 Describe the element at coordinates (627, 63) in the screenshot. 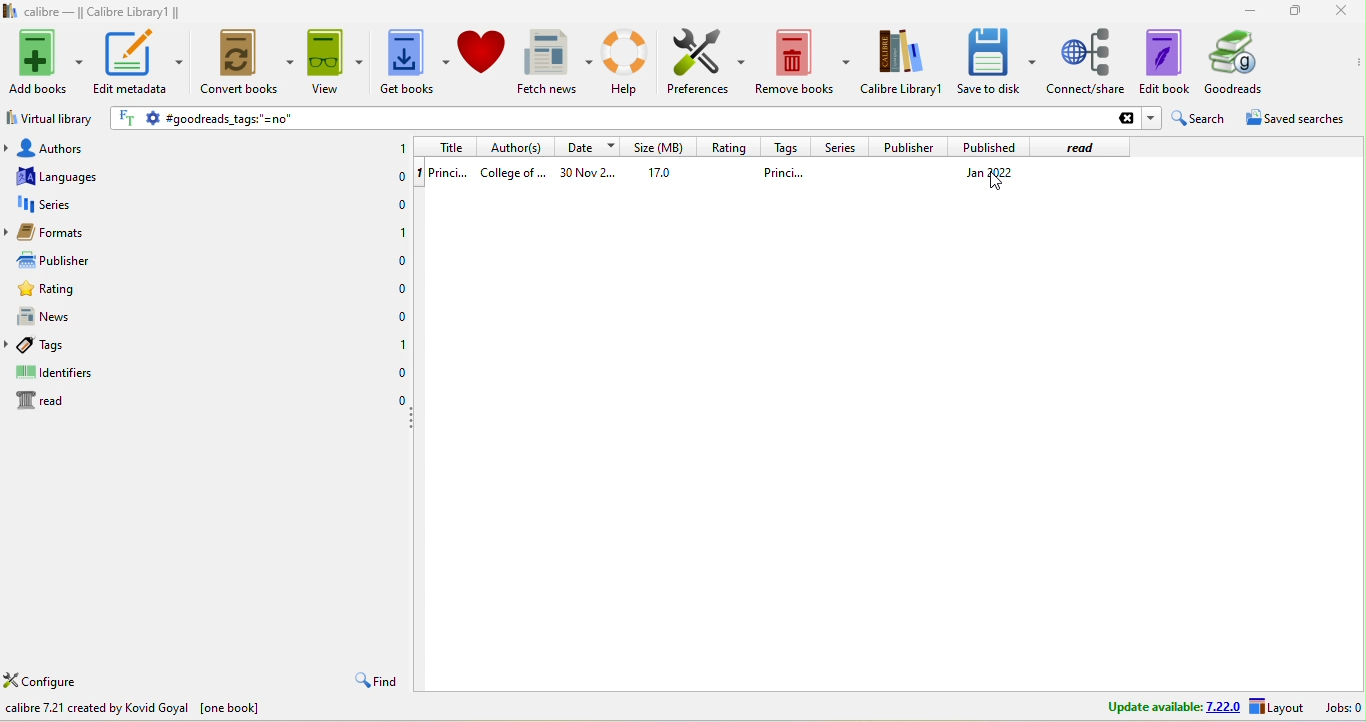

I see `help` at that location.